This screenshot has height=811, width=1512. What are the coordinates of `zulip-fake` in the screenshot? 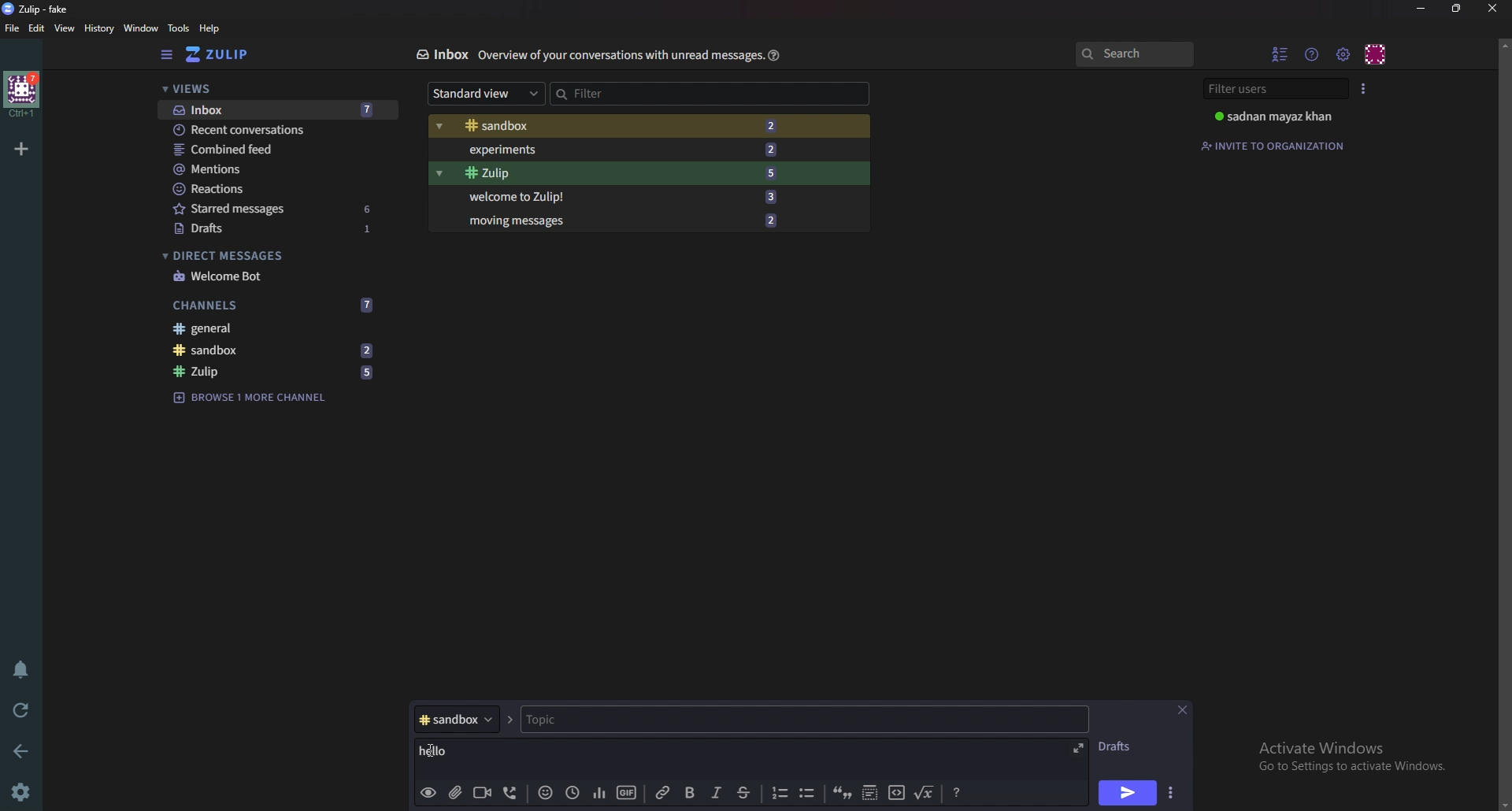 It's located at (39, 9).